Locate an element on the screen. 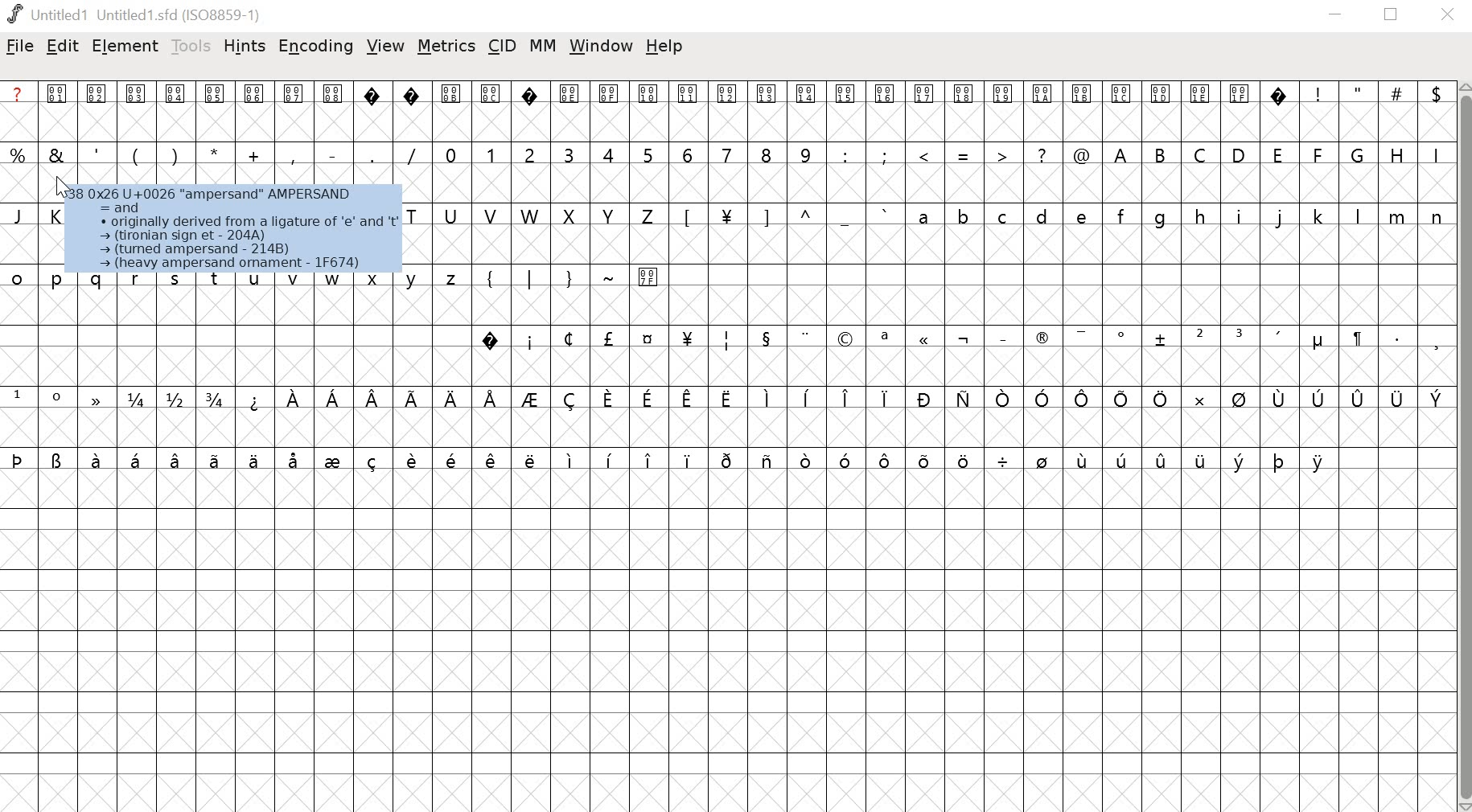 This screenshot has width=1472, height=812. symbol is located at coordinates (612, 339).